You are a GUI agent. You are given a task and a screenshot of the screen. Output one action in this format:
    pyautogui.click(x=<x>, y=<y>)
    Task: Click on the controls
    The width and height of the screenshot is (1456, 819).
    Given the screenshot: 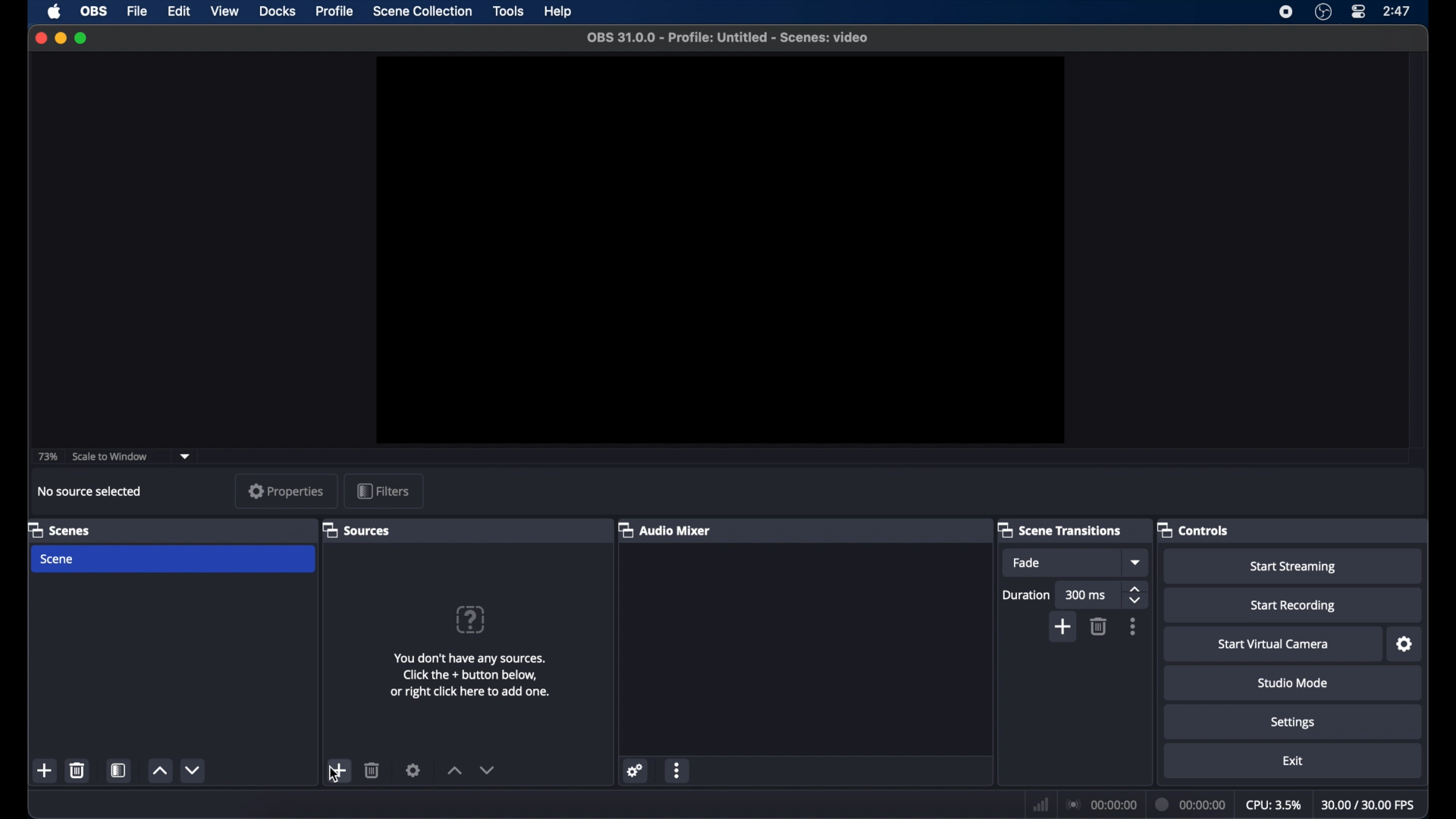 What is the action you would take?
    pyautogui.click(x=1194, y=529)
    